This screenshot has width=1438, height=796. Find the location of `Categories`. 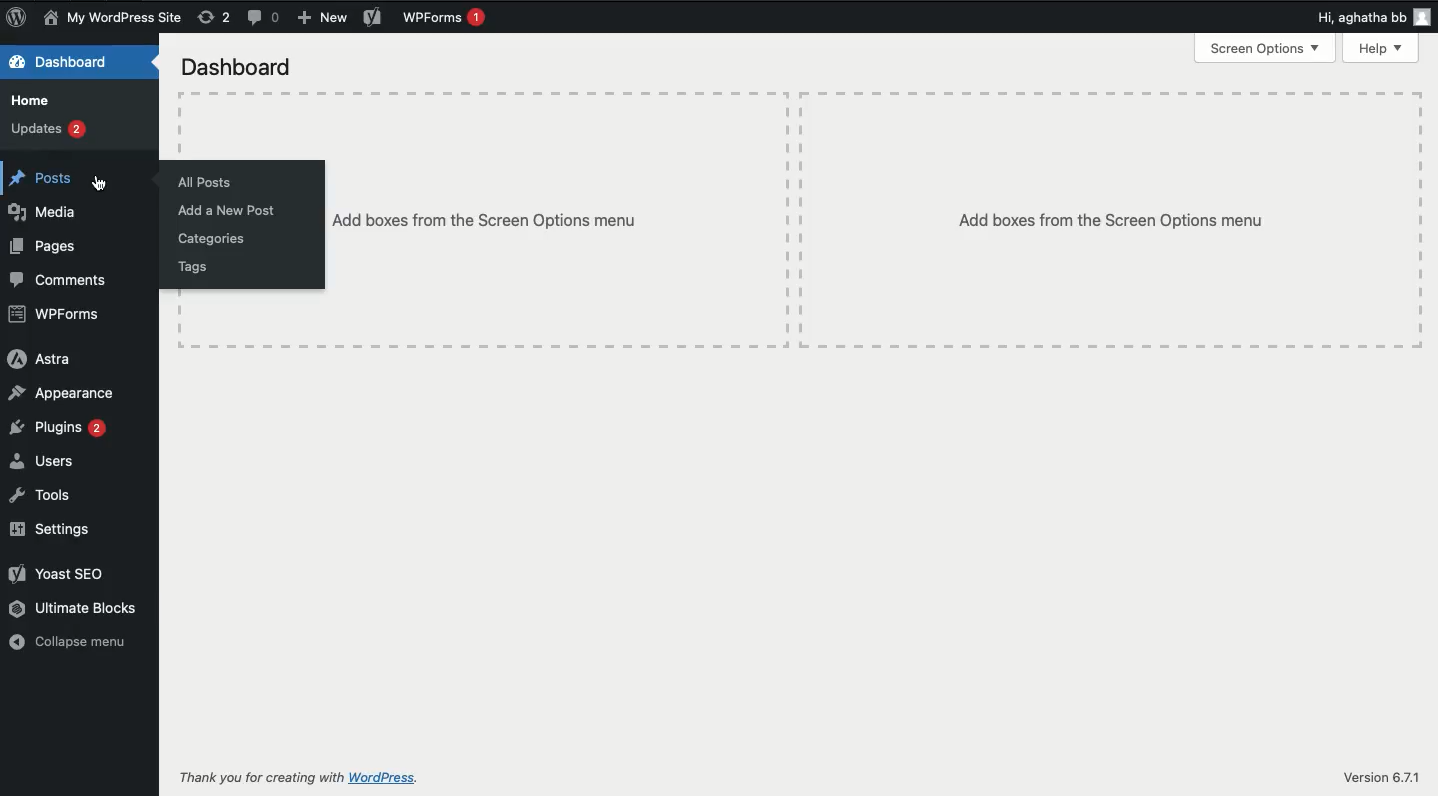

Categories is located at coordinates (211, 240).